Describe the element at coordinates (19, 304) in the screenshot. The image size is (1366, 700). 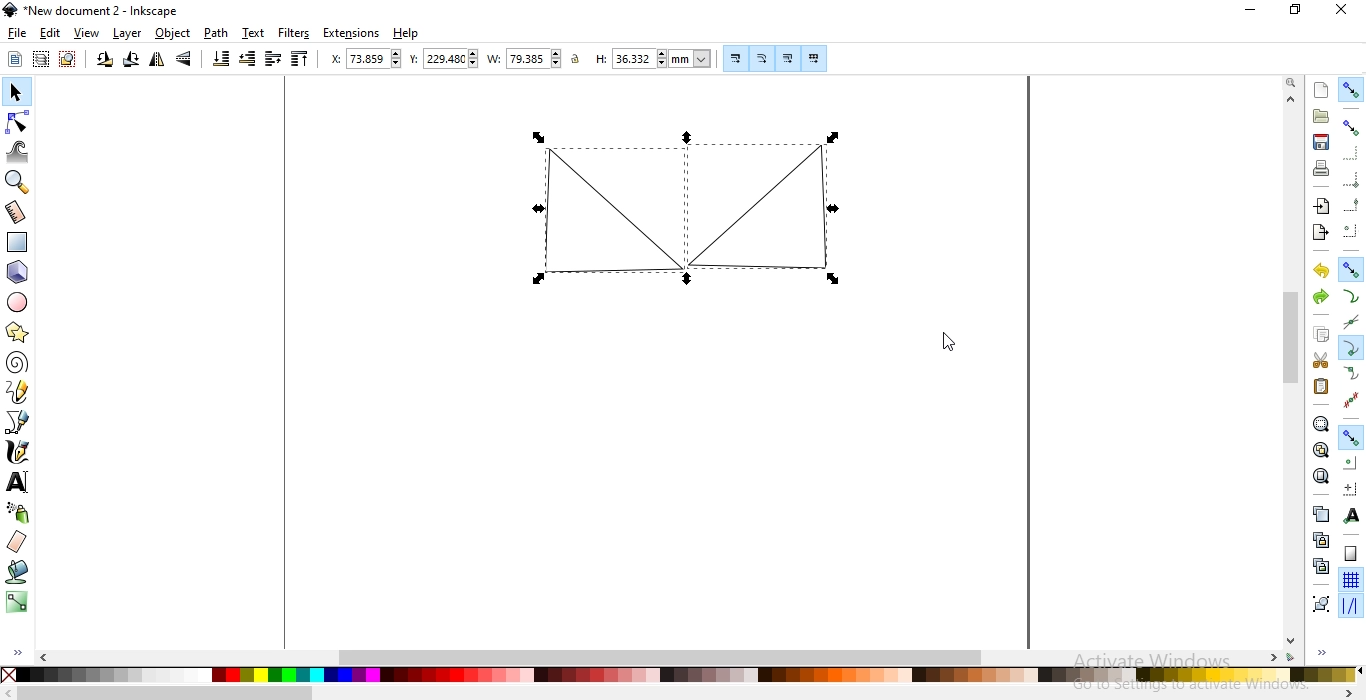
I see `create circles, arcs and ellipses` at that location.